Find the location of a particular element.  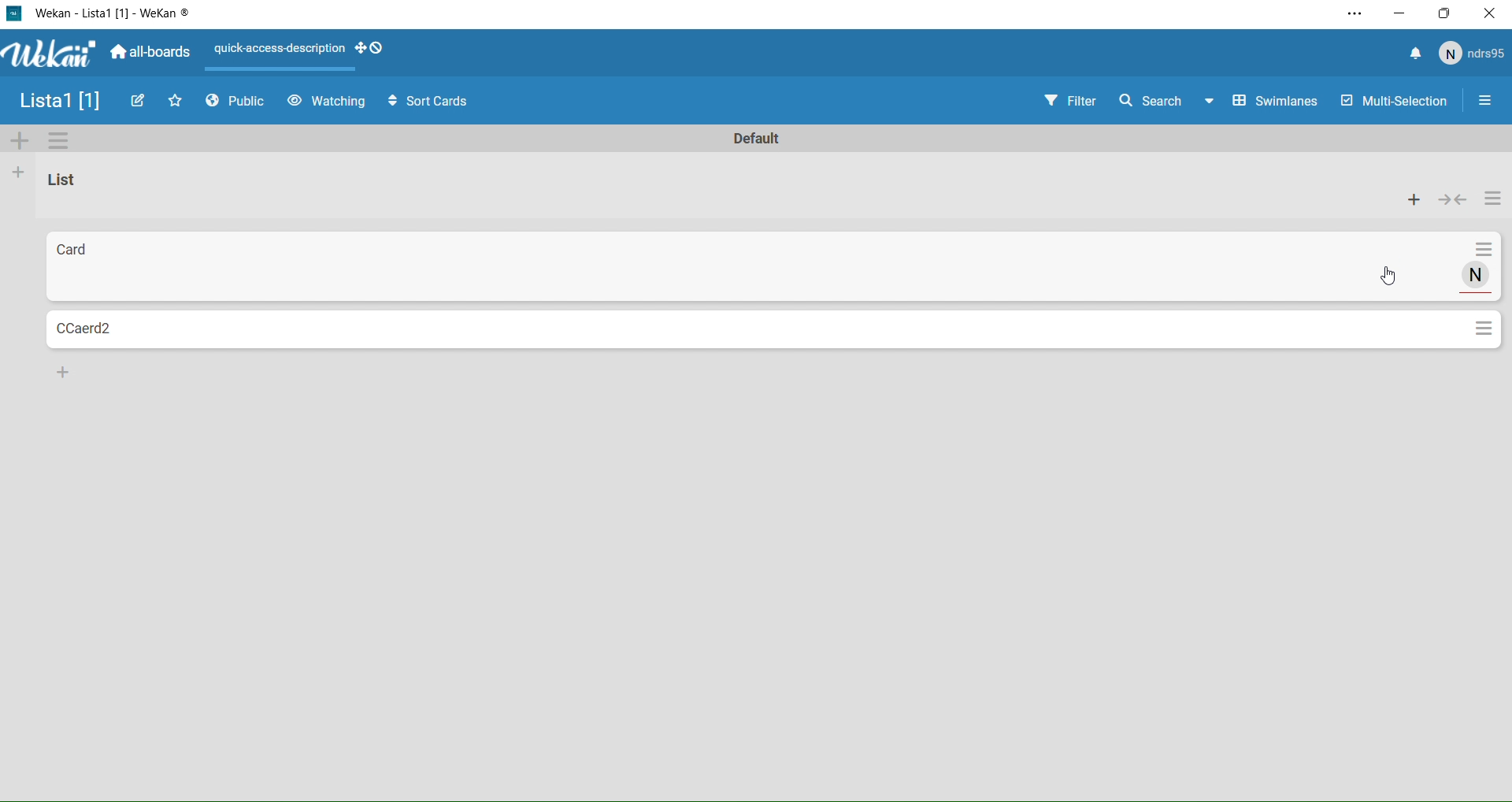

Filter is located at coordinates (1056, 102).